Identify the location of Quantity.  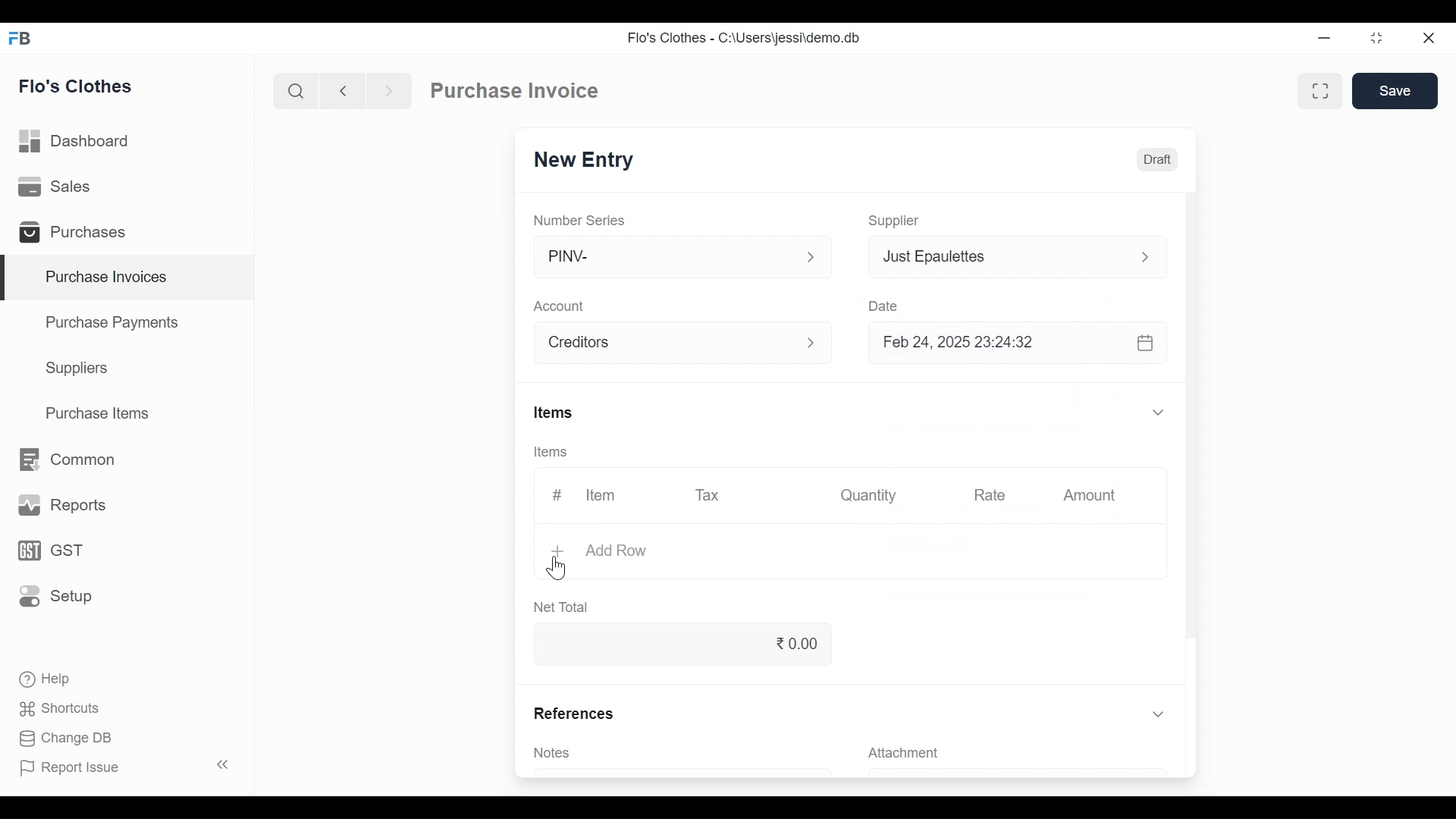
(871, 496).